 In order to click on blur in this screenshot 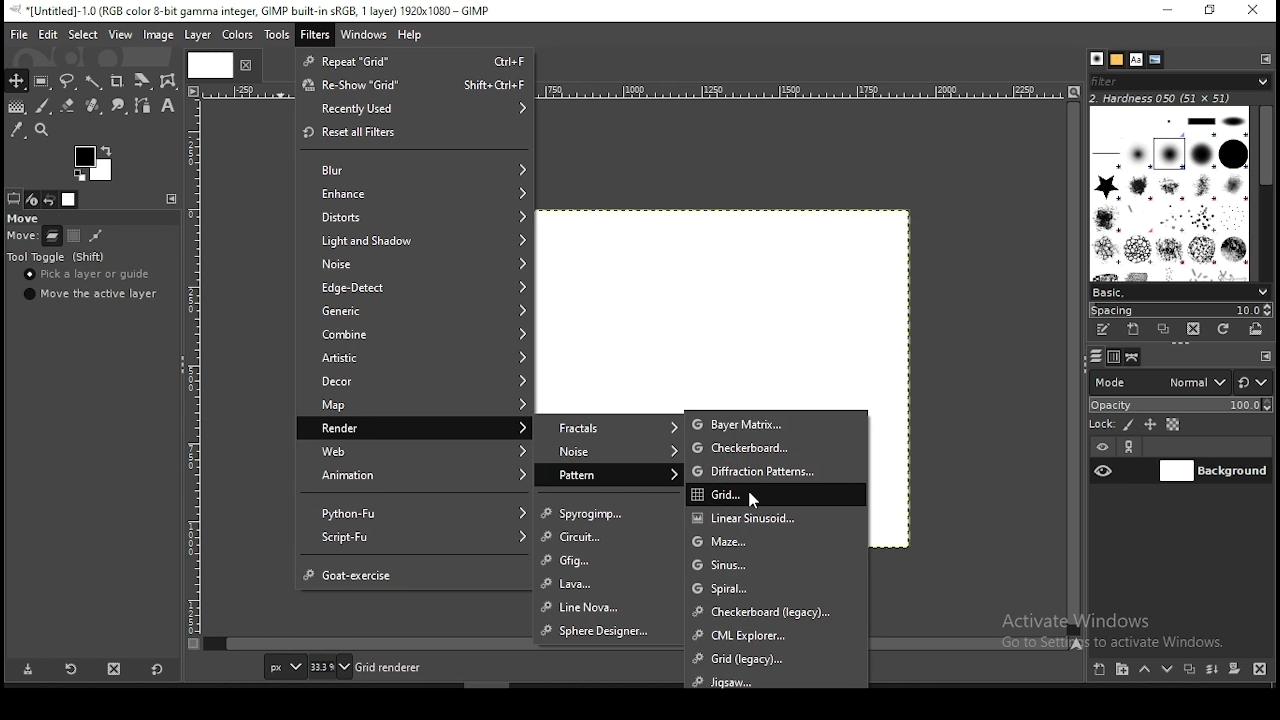, I will do `click(417, 170)`.